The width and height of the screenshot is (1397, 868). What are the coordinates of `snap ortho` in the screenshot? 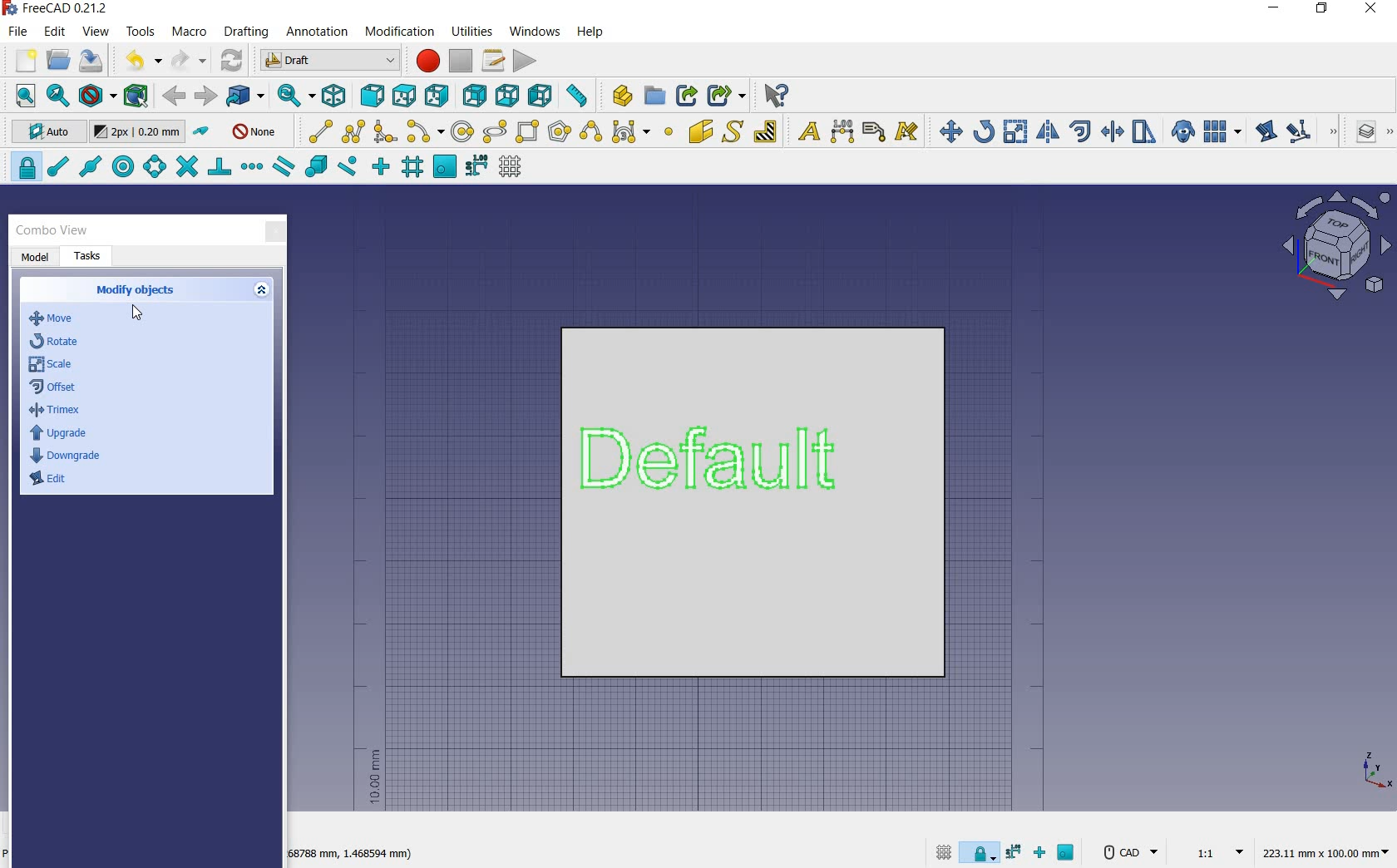 It's located at (381, 167).